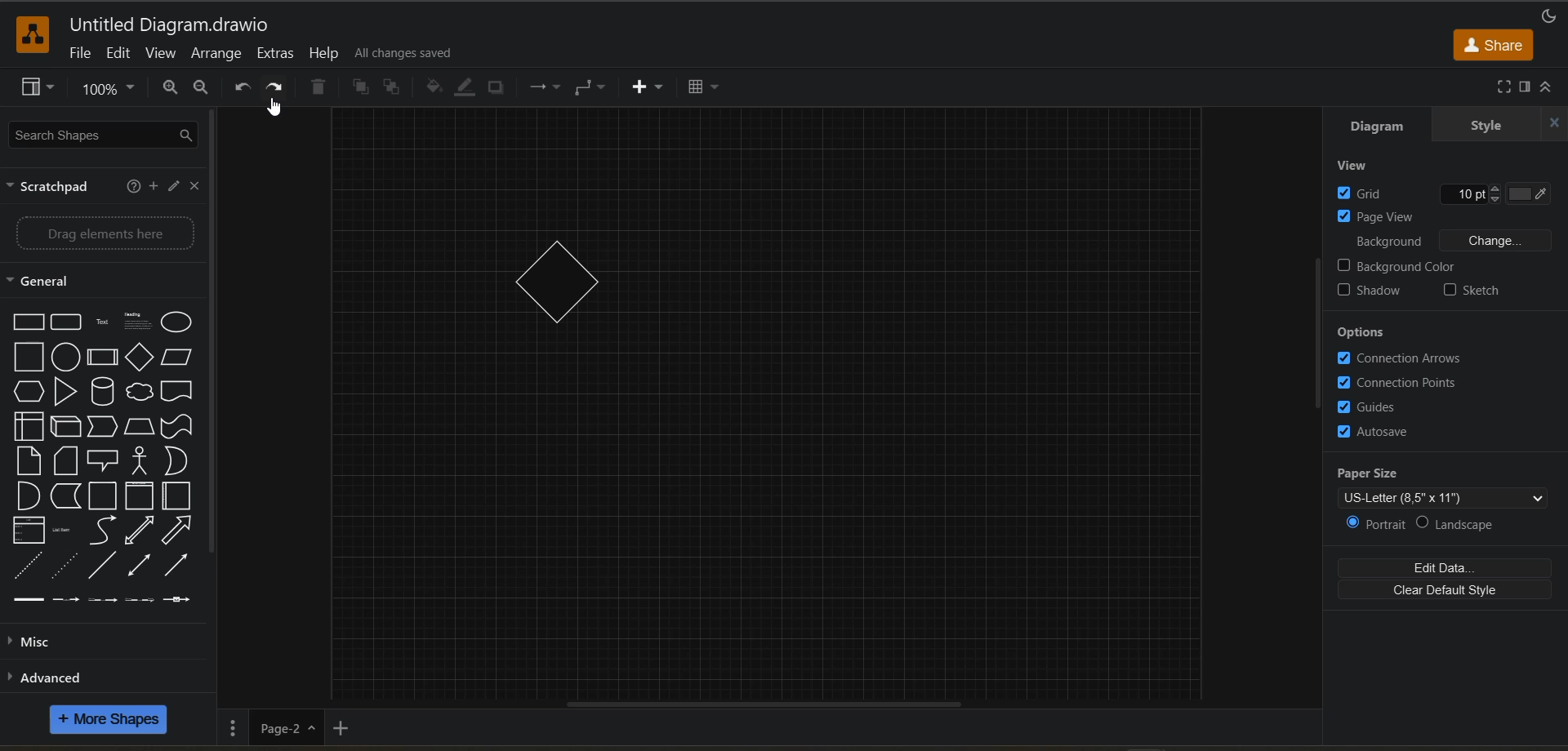 The image size is (1568, 751). What do you see at coordinates (102, 428) in the screenshot?
I see `step` at bounding box center [102, 428].